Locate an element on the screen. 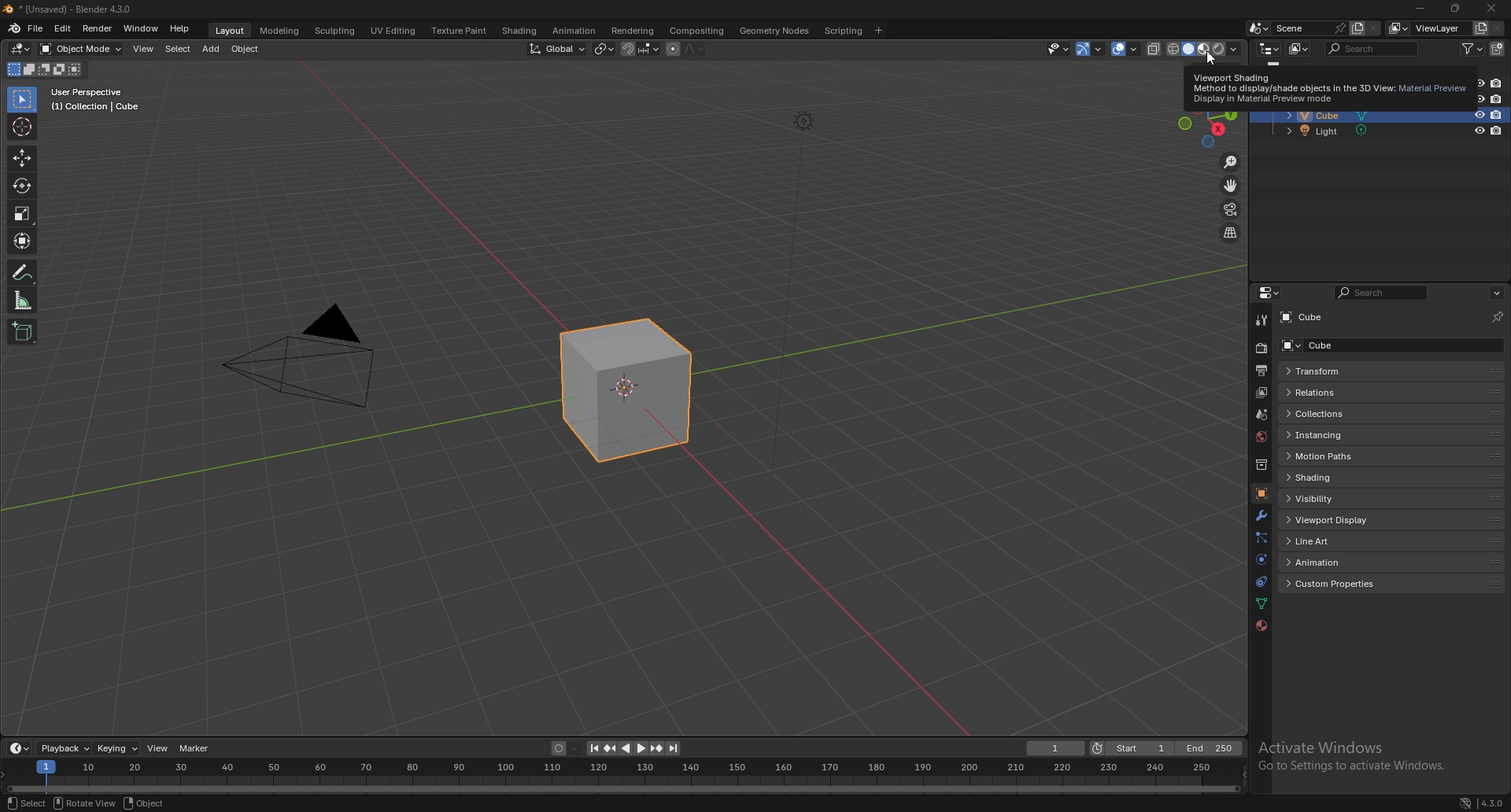 This screenshot has width=1511, height=812. line art is located at coordinates (1347, 540).